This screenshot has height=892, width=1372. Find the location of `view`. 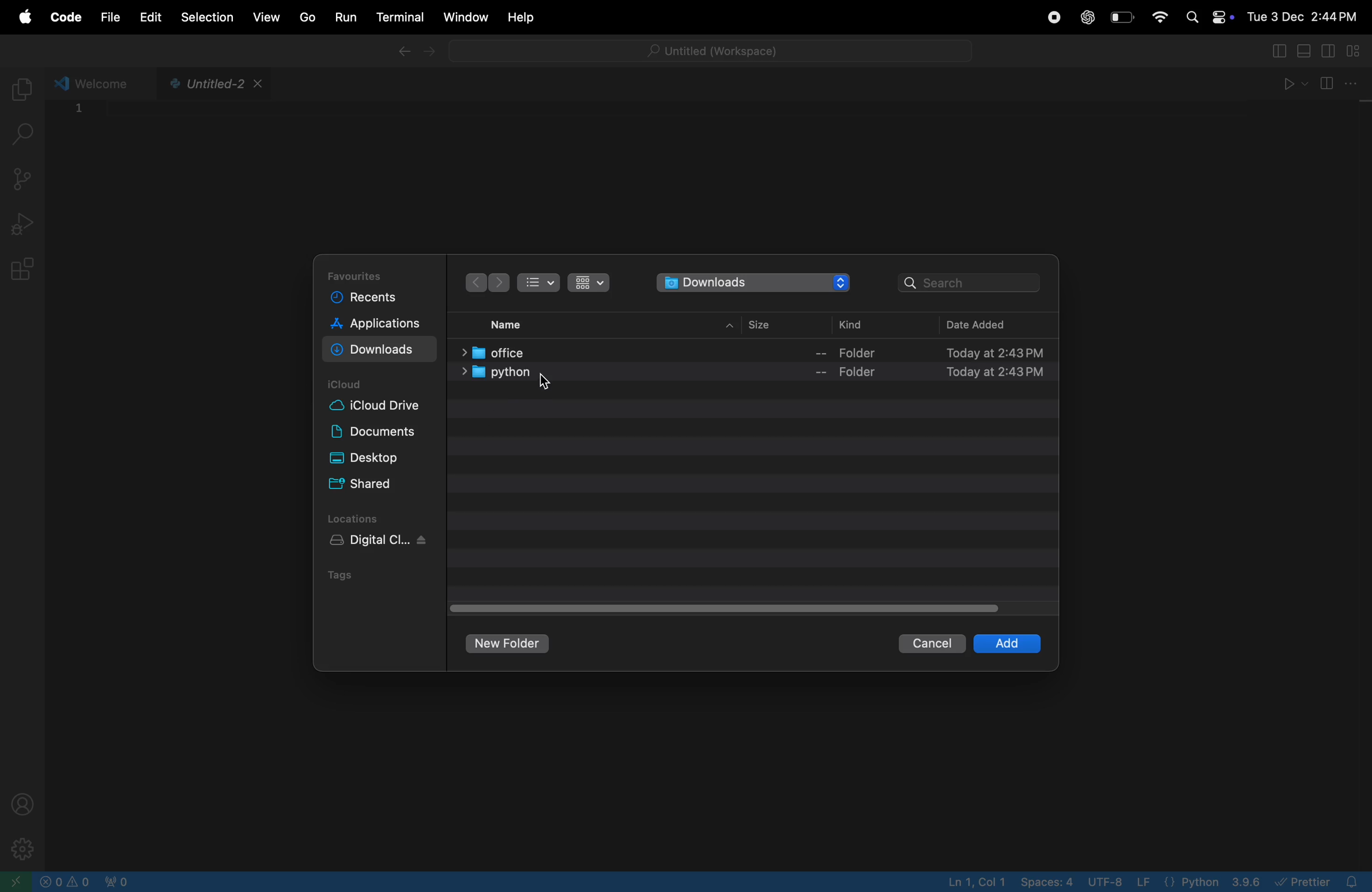

view is located at coordinates (268, 17).